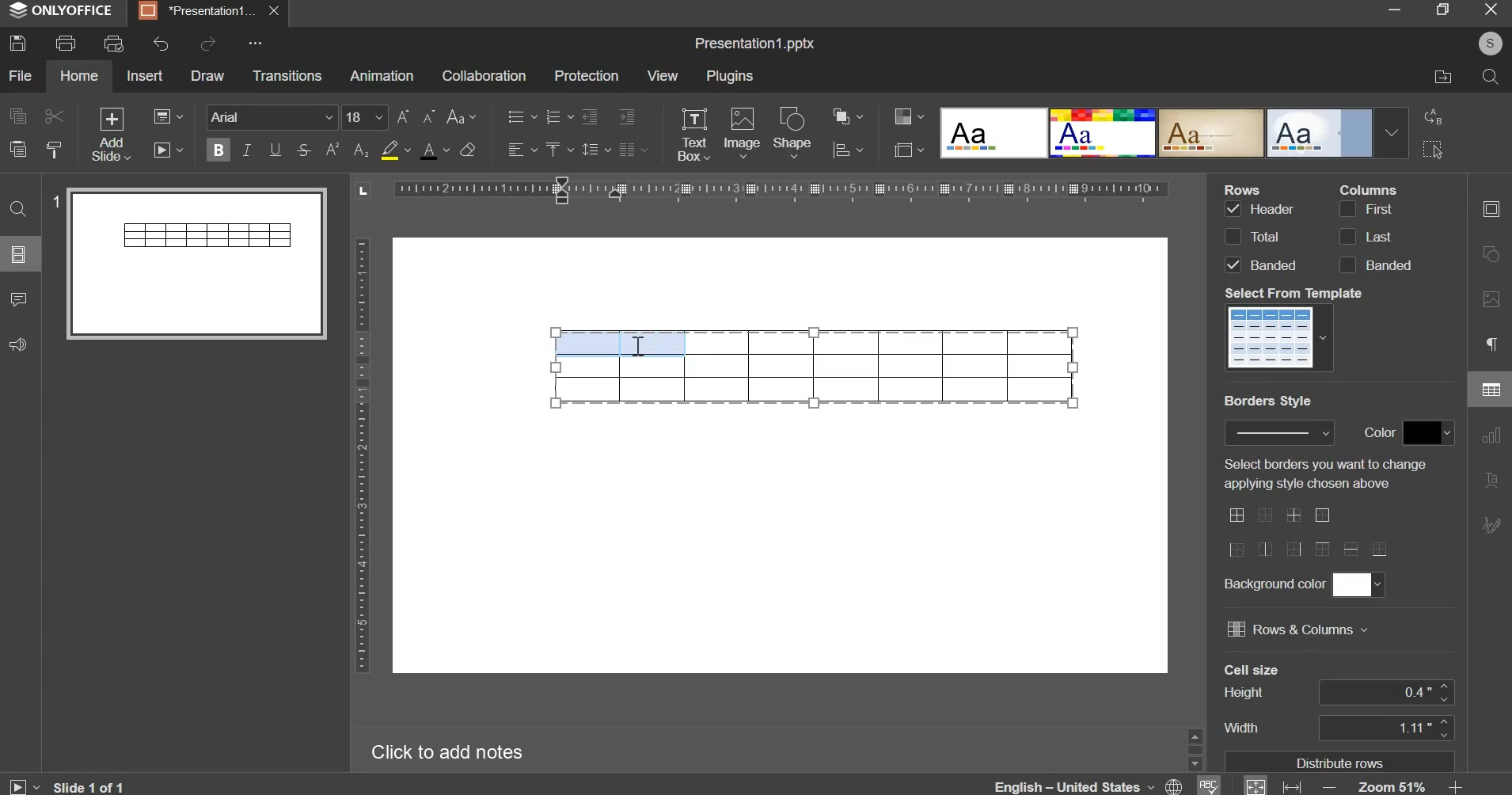  What do you see at coordinates (1259, 236) in the screenshot?
I see `rows` at bounding box center [1259, 236].